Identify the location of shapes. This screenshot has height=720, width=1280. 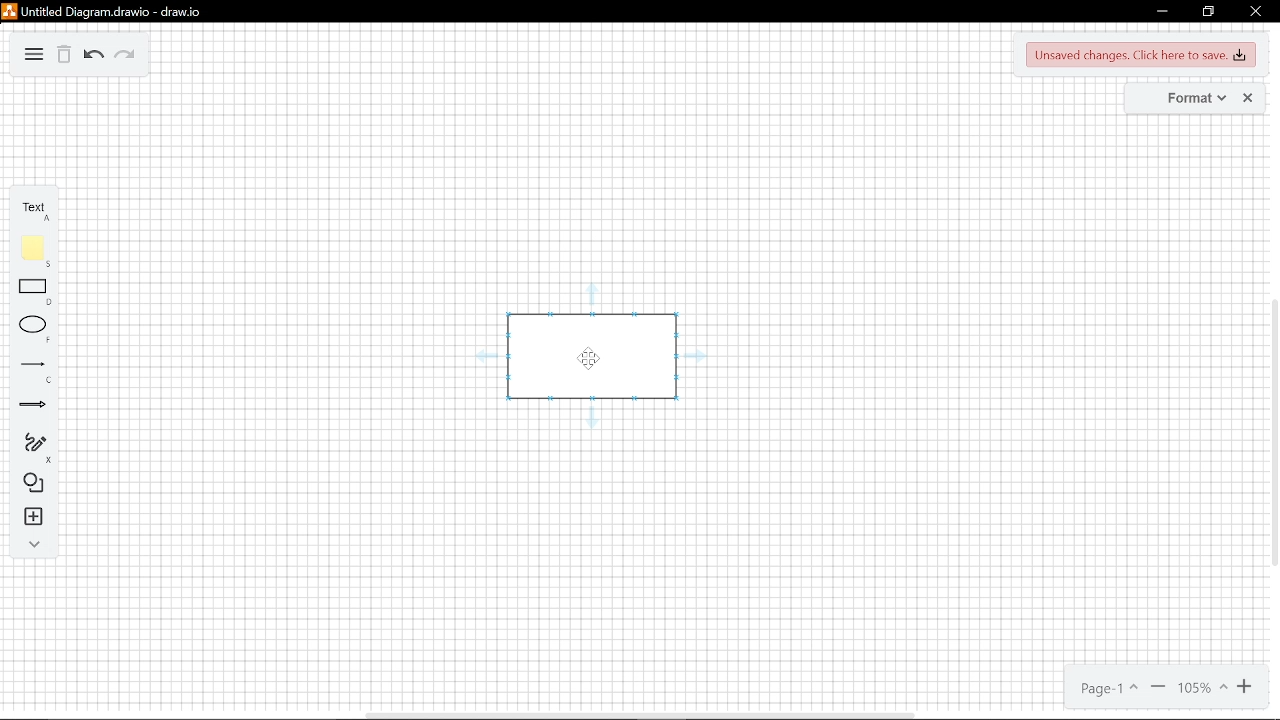
(36, 484).